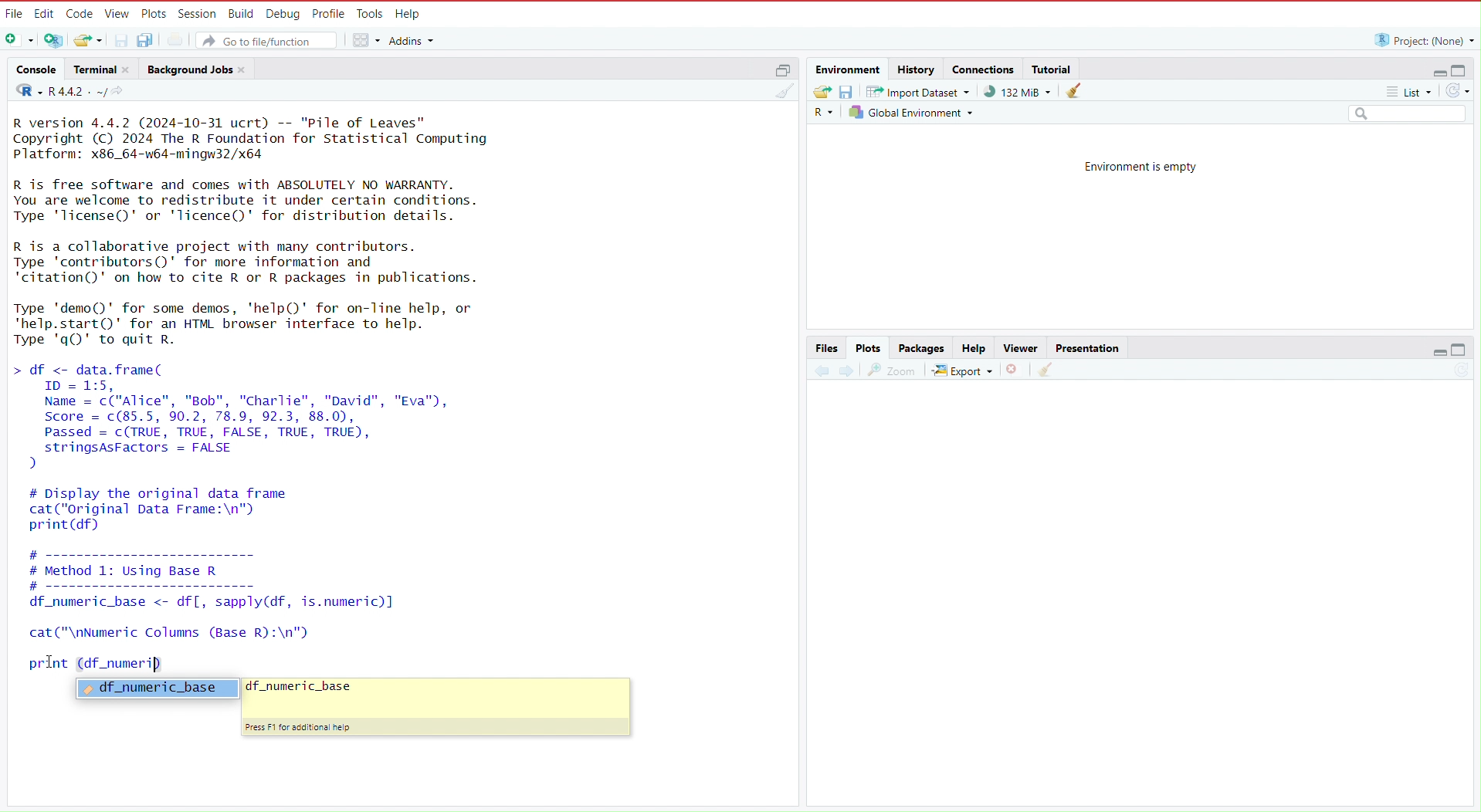  Describe the element at coordinates (973, 347) in the screenshot. I see `Help` at that location.